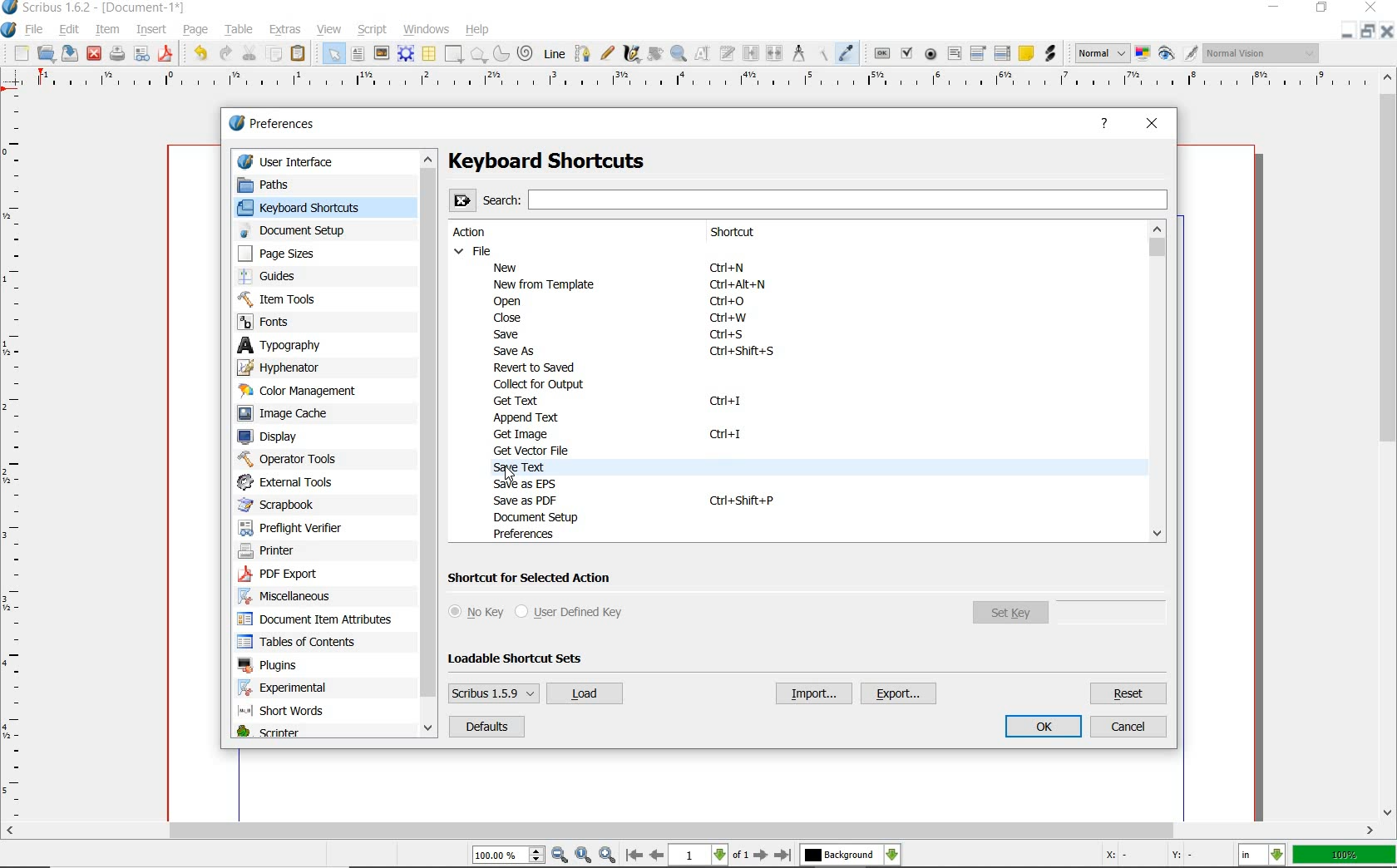 This screenshot has width=1397, height=868. What do you see at coordinates (511, 333) in the screenshot?
I see `save` at bounding box center [511, 333].